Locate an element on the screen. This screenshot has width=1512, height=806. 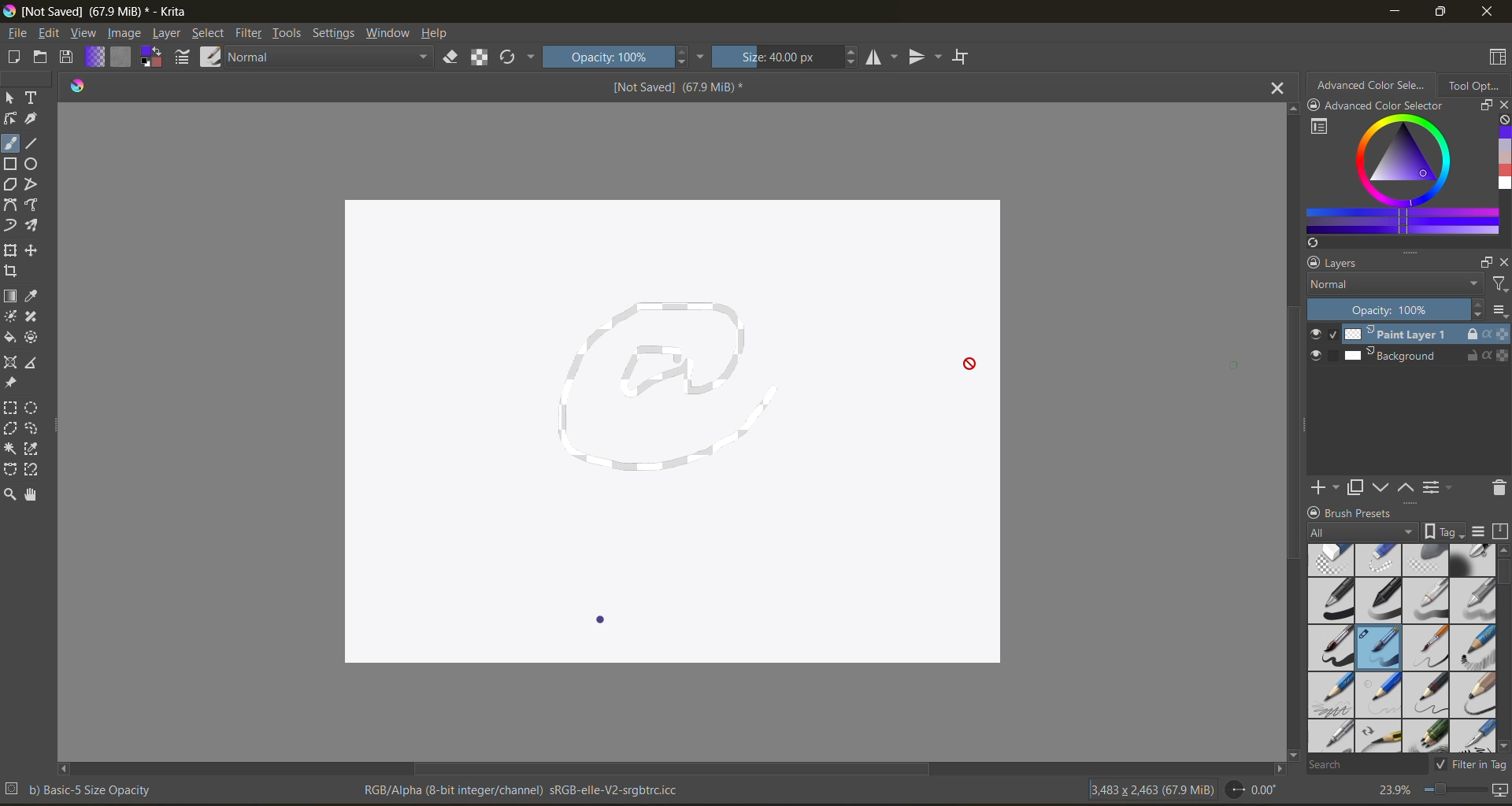
elliptical selection tool is located at coordinates (32, 407).